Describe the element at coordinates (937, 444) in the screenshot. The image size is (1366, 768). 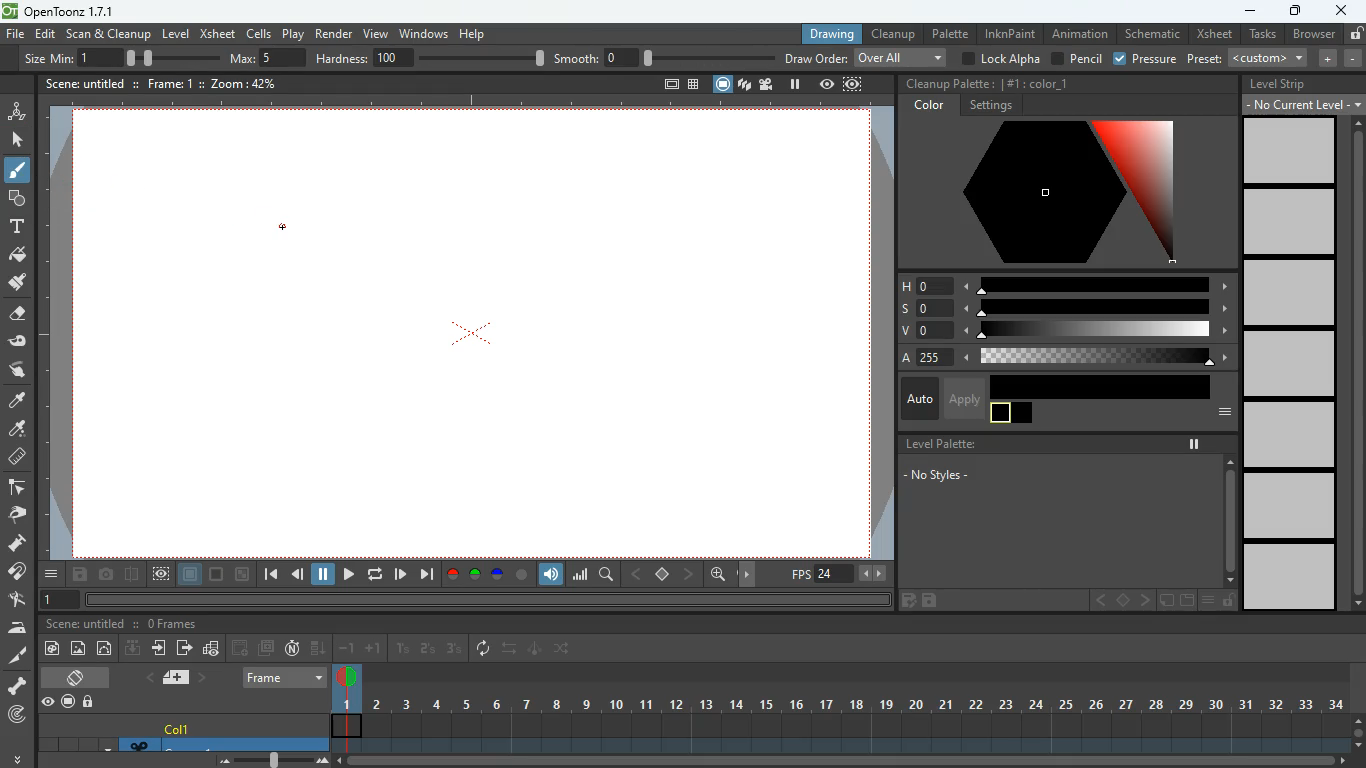
I see `level palette` at that location.